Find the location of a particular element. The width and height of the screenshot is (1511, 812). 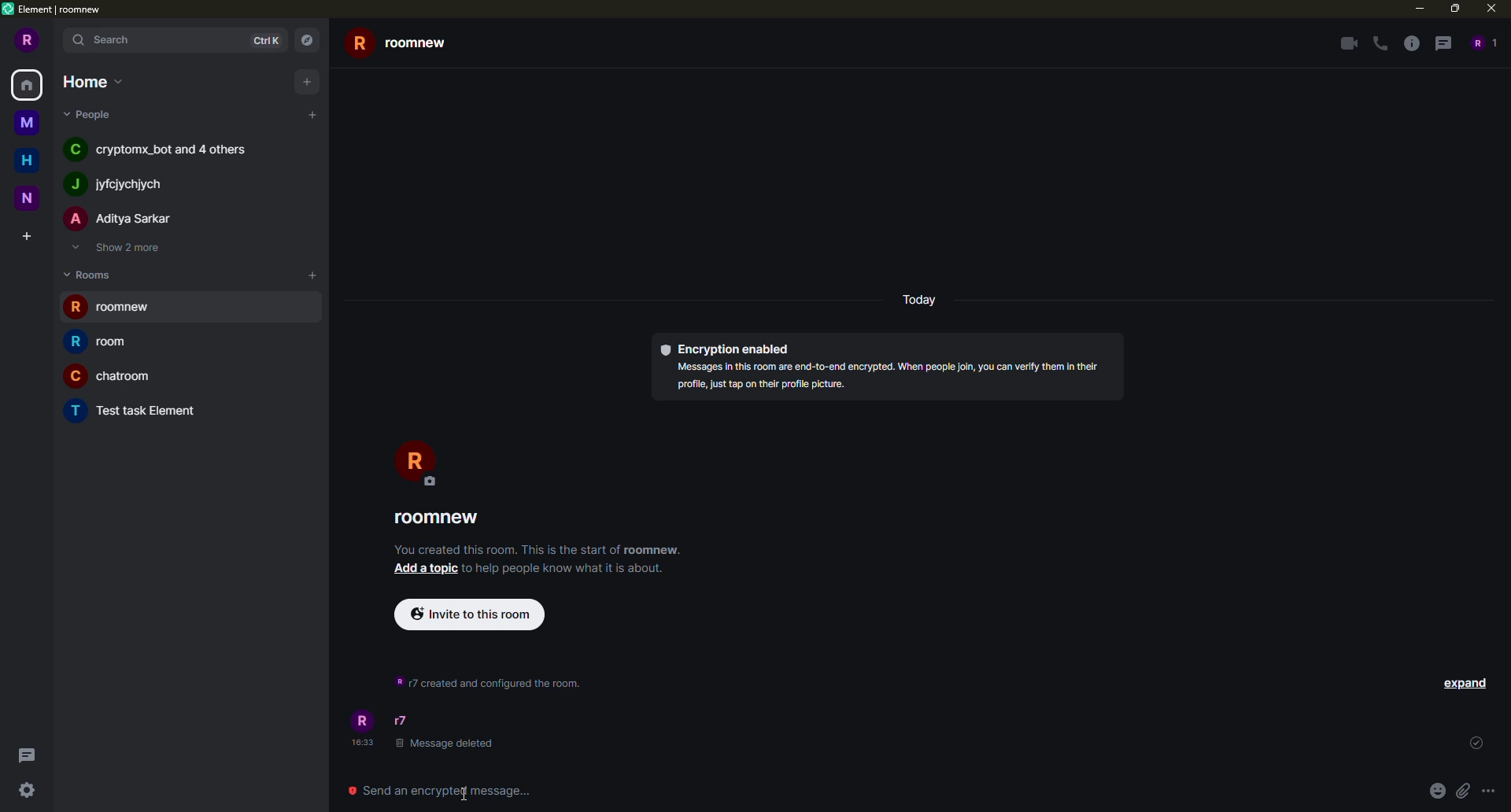

people is located at coordinates (163, 149).